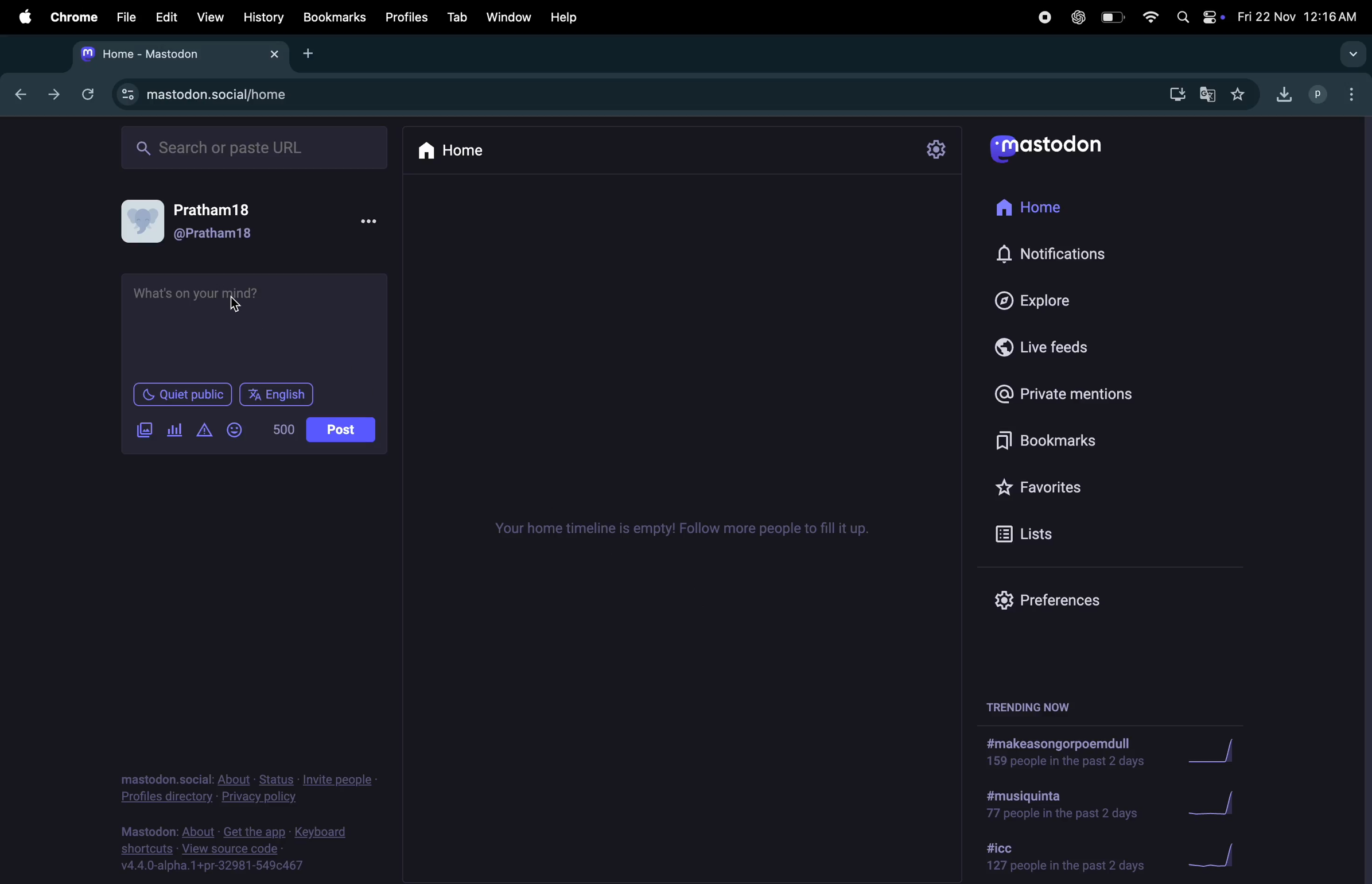  I want to click on file, so click(123, 17).